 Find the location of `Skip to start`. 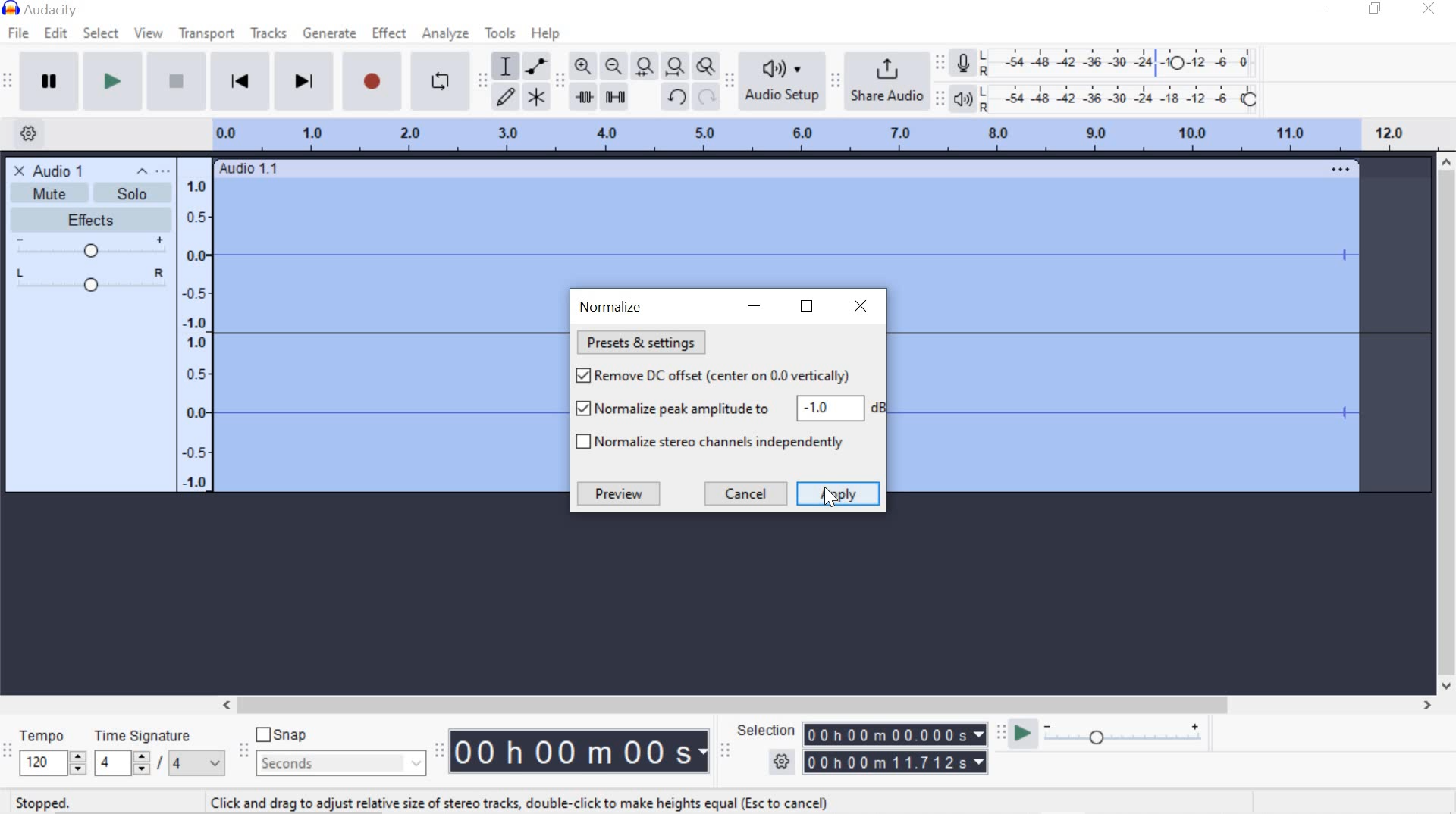

Skip to start is located at coordinates (241, 81).